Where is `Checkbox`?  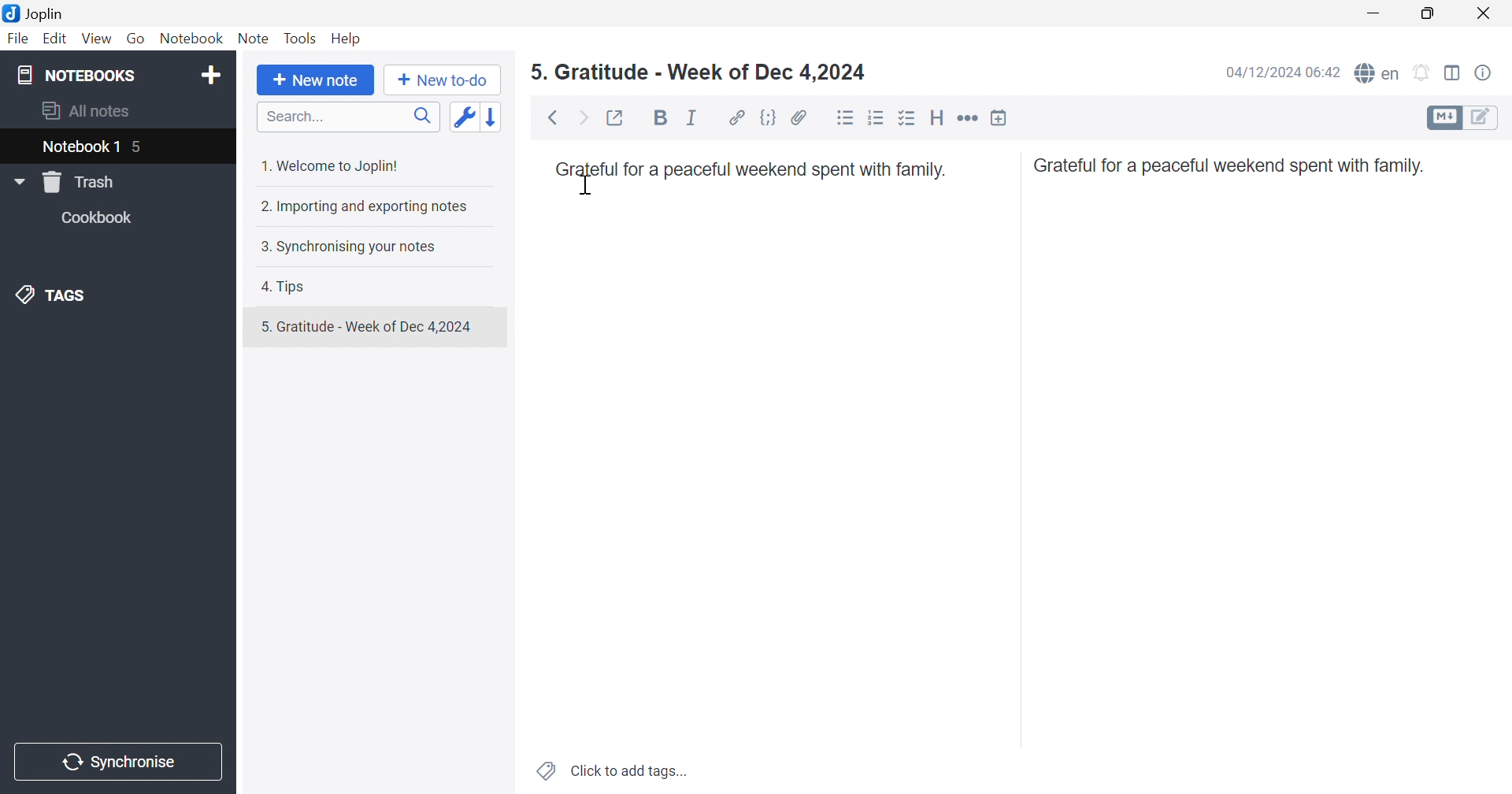
Checkbox is located at coordinates (908, 119).